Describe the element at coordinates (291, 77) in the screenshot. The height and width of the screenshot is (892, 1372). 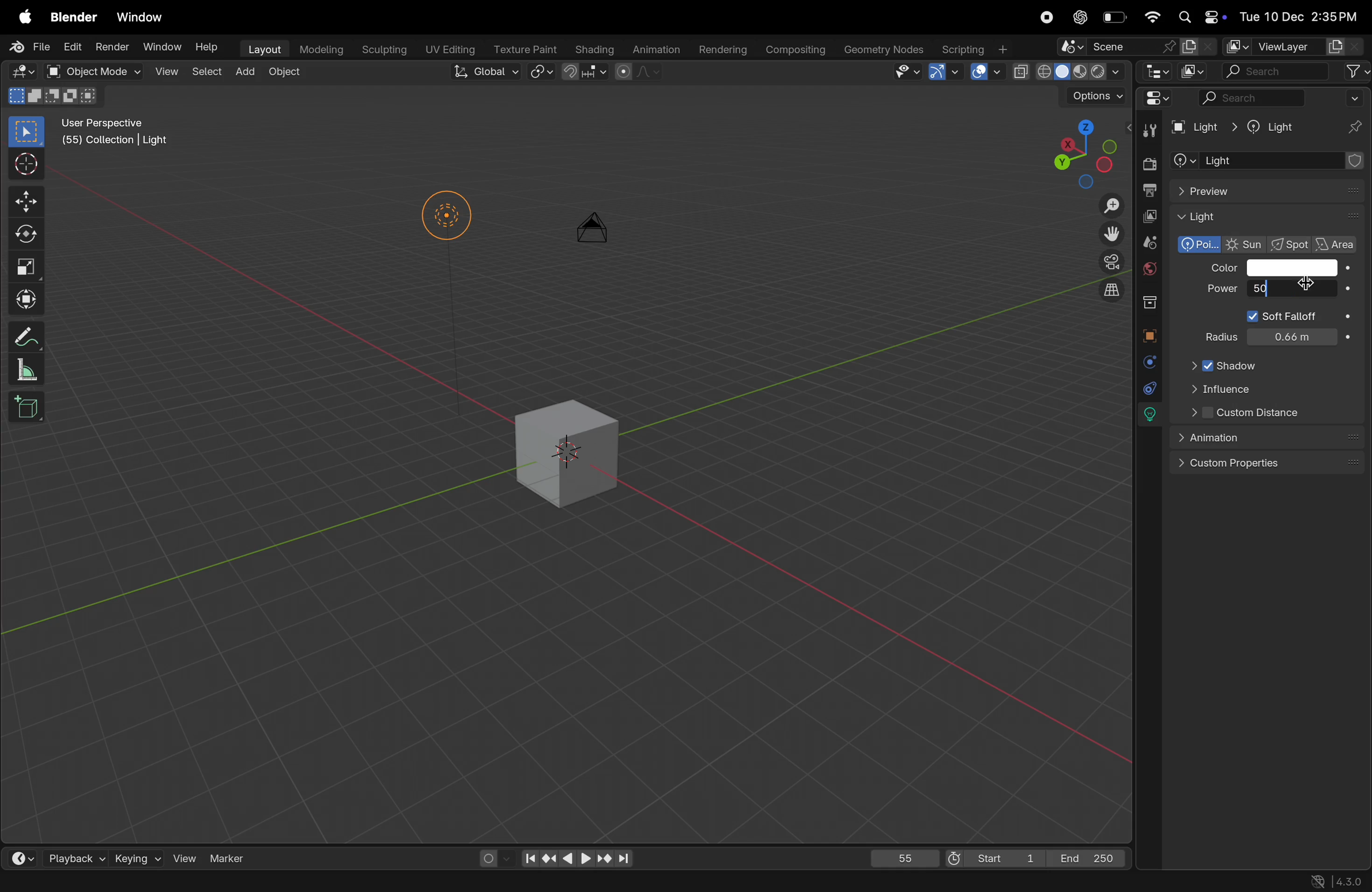
I see `object` at that location.